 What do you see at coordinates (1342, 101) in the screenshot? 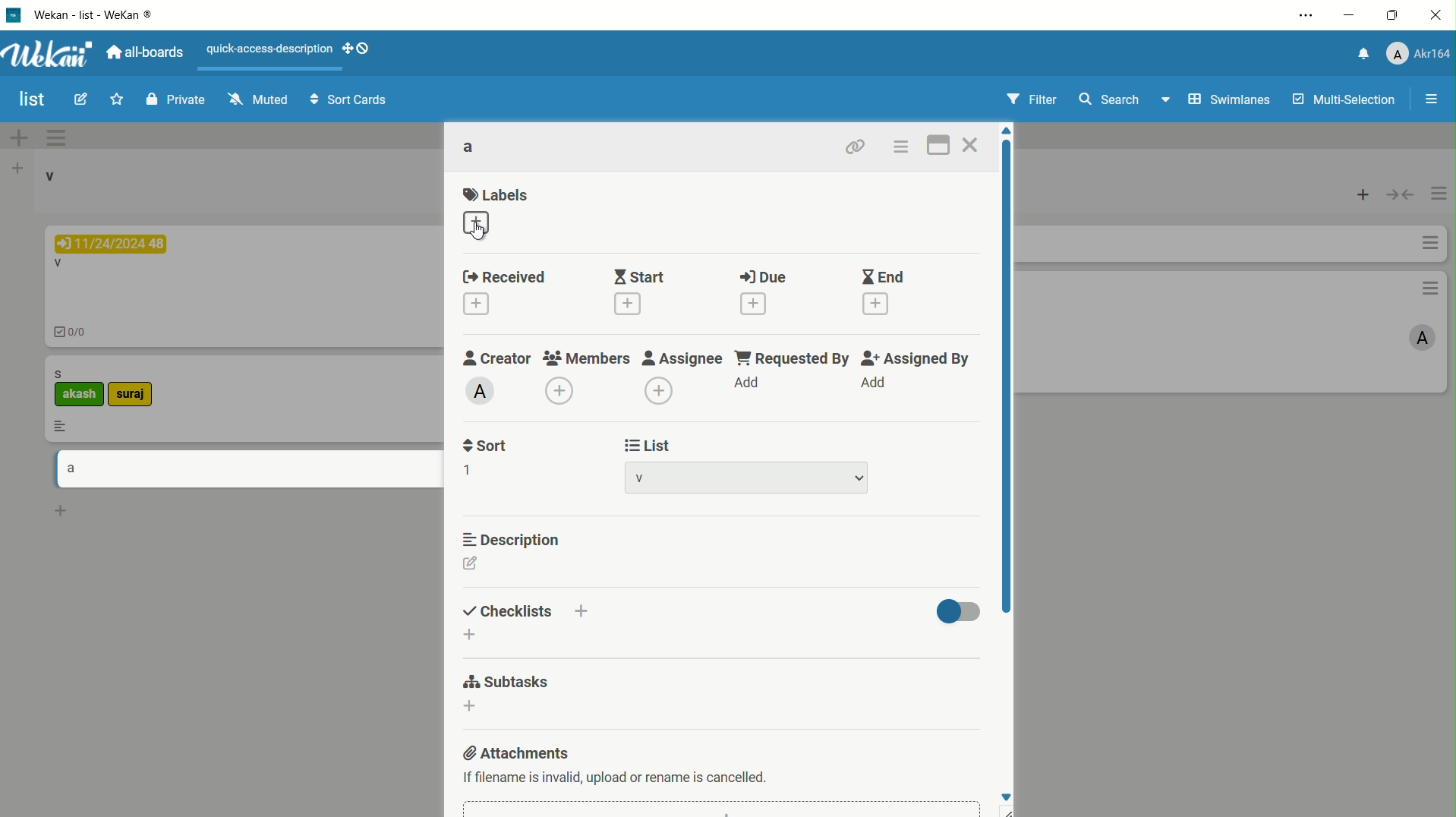
I see `multi selections` at bounding box center [1342, 101].